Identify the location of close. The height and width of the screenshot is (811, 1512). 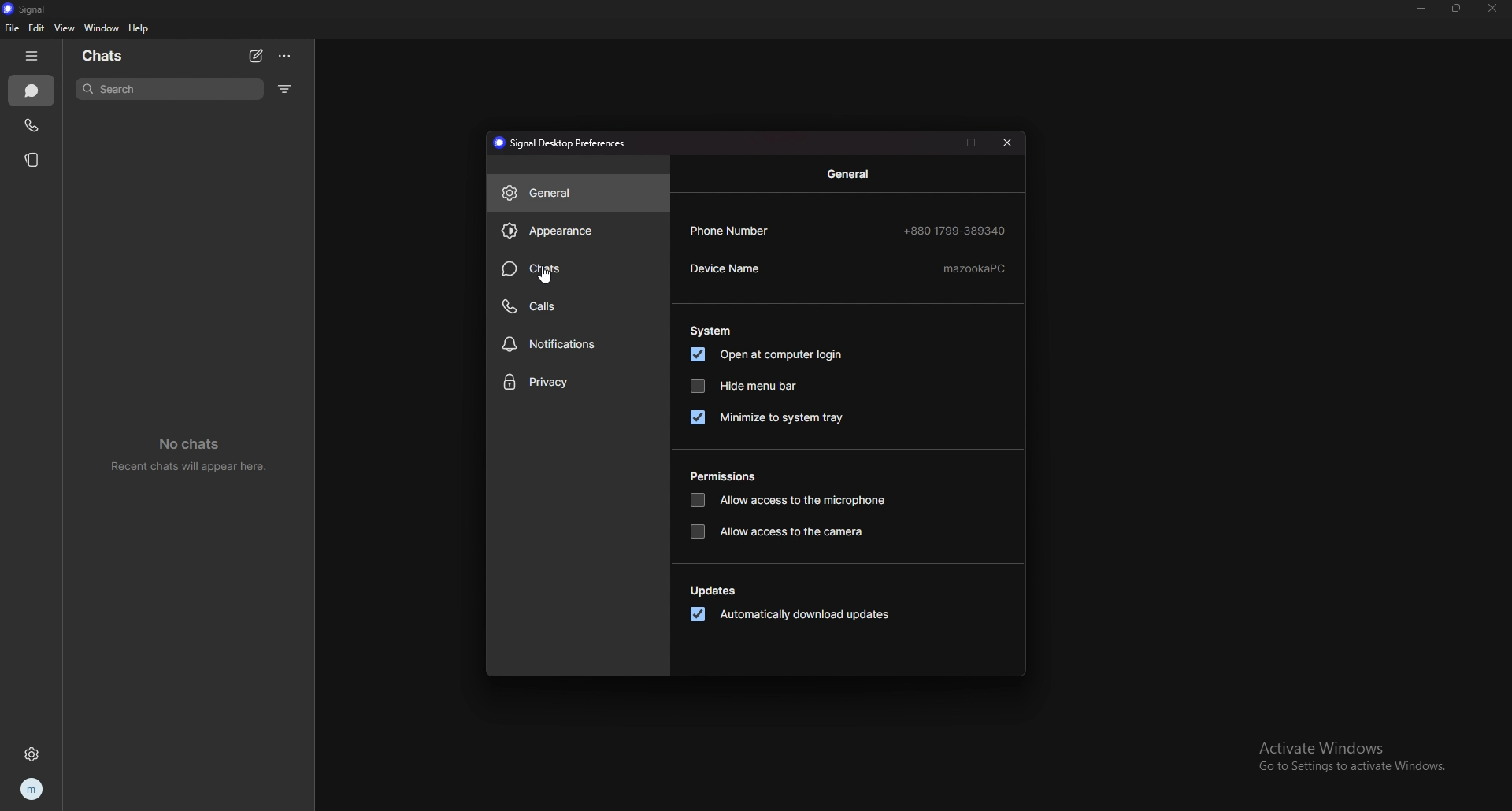
(1009, 142).